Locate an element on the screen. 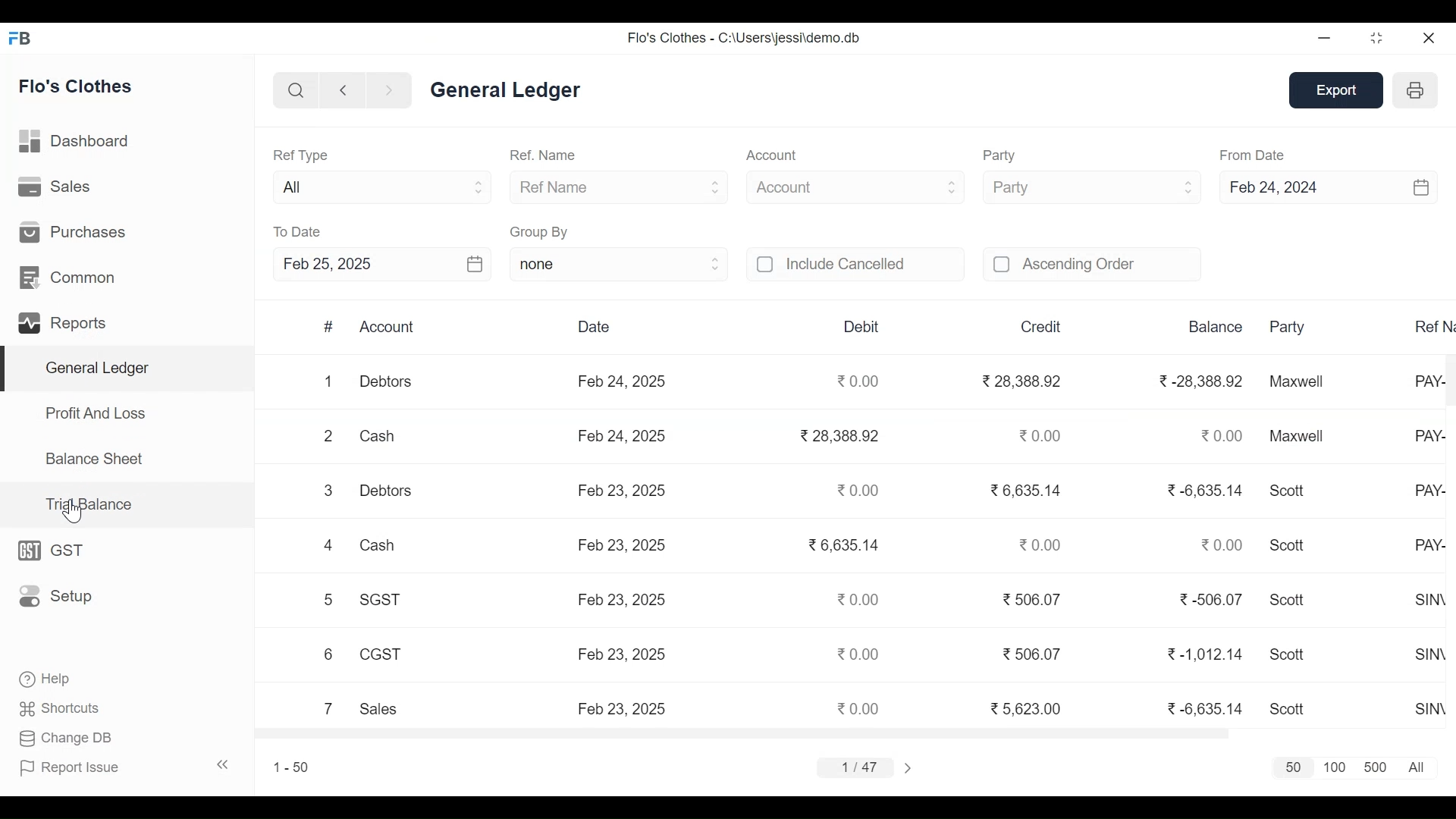  Ref. Name is located at coordinates (541, 155).